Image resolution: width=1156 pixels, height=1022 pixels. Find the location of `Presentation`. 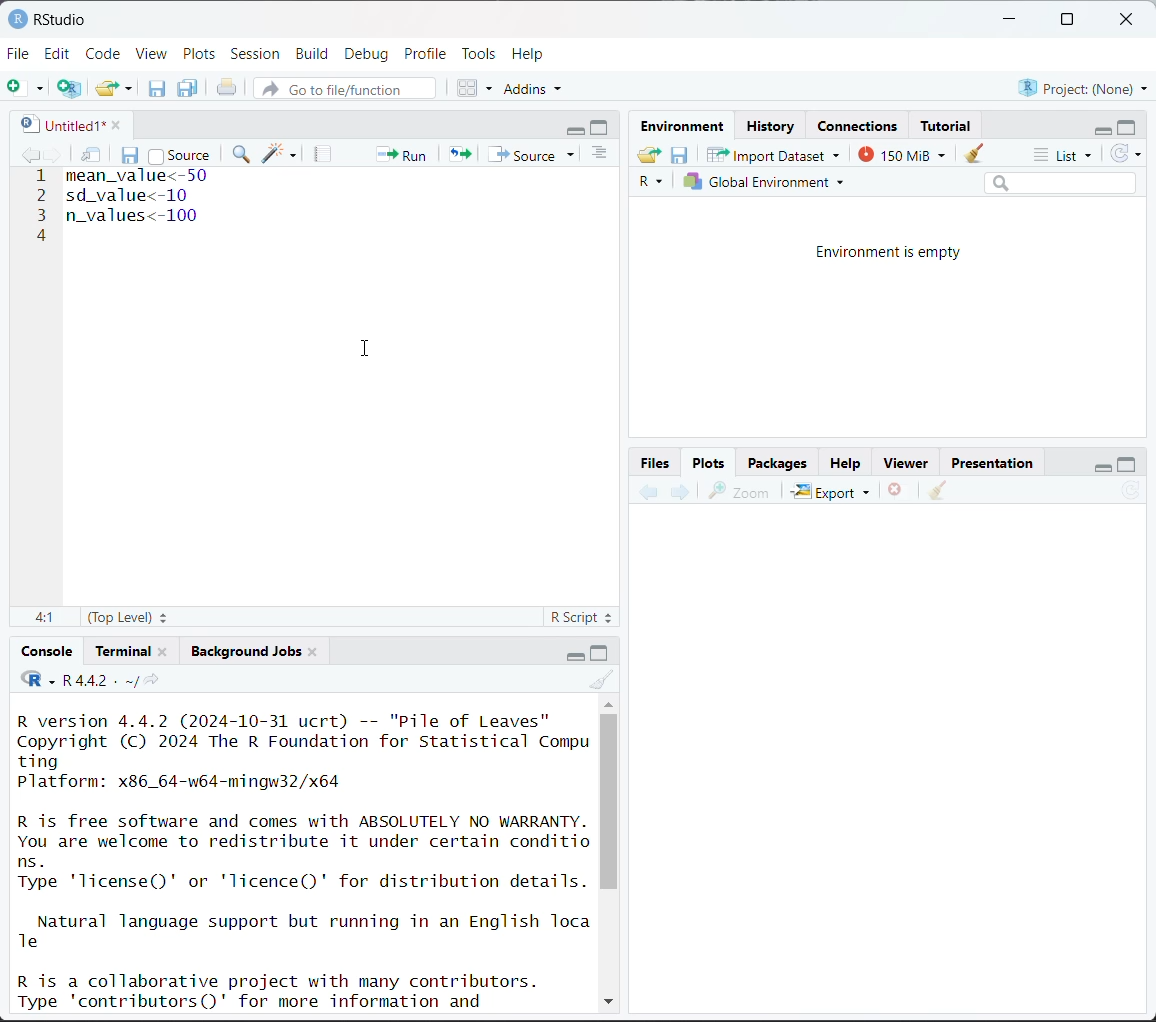

Presentation is located at coordinates (993, 464).